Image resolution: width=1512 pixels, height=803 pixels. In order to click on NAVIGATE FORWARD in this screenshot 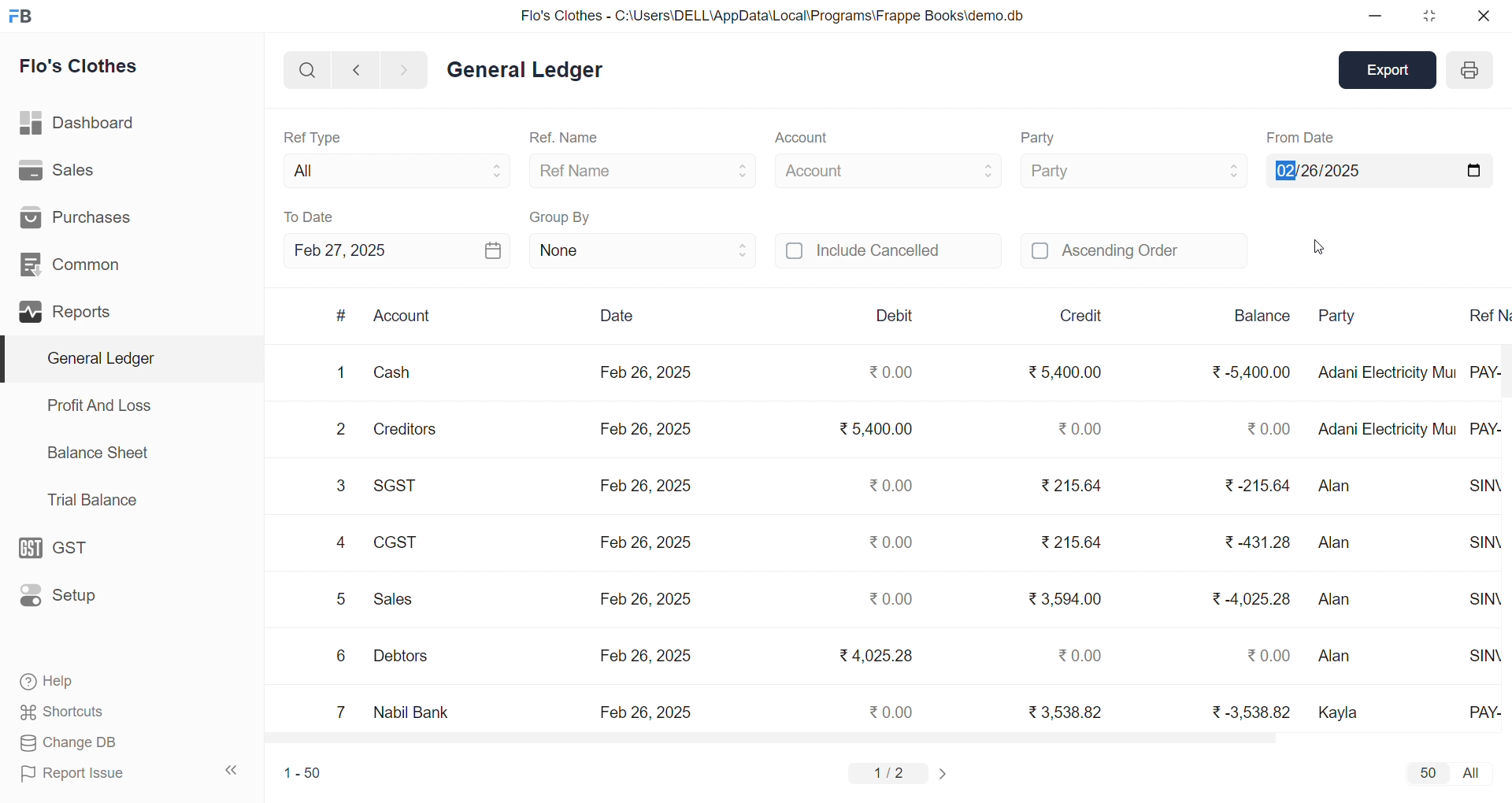, I will do `click(410, 68)`.